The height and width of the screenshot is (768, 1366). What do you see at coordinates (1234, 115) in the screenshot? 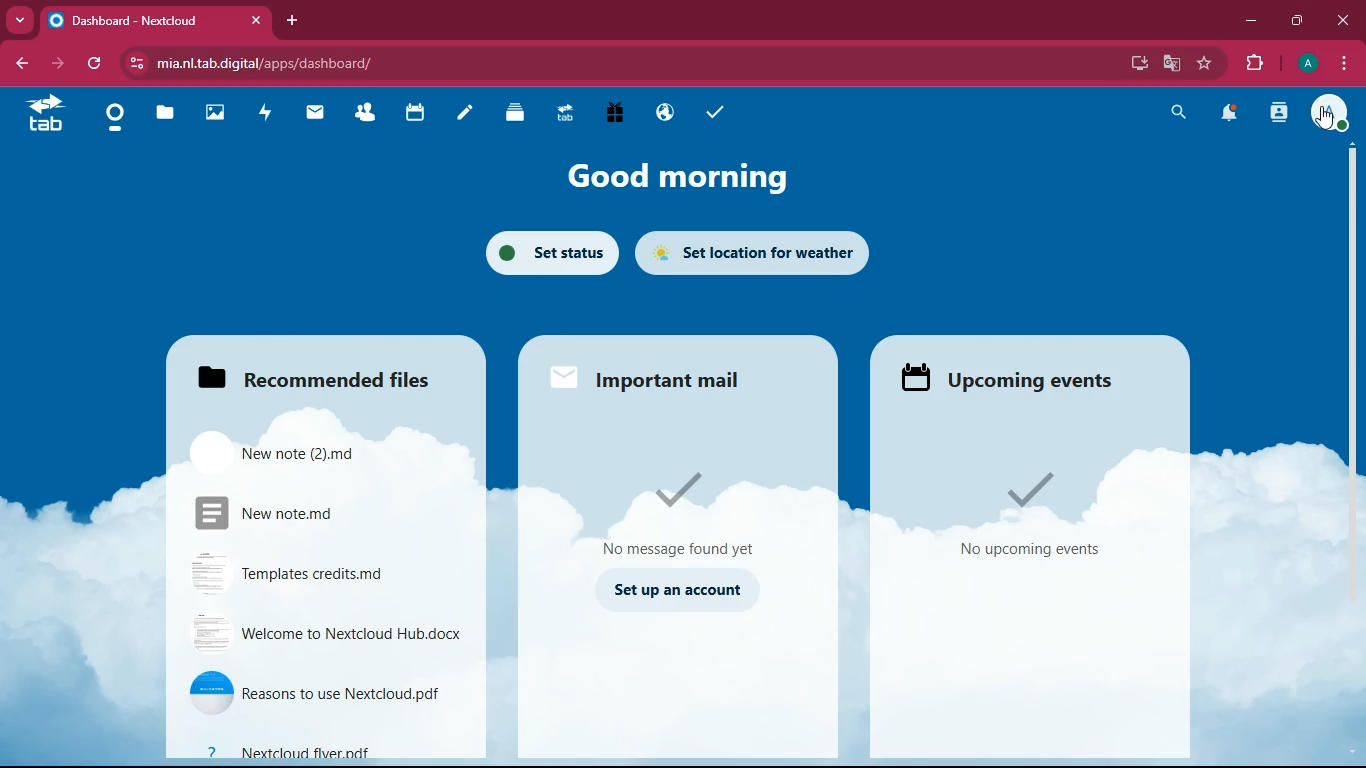
I see `notifications` at bounding box center [1234, 115].